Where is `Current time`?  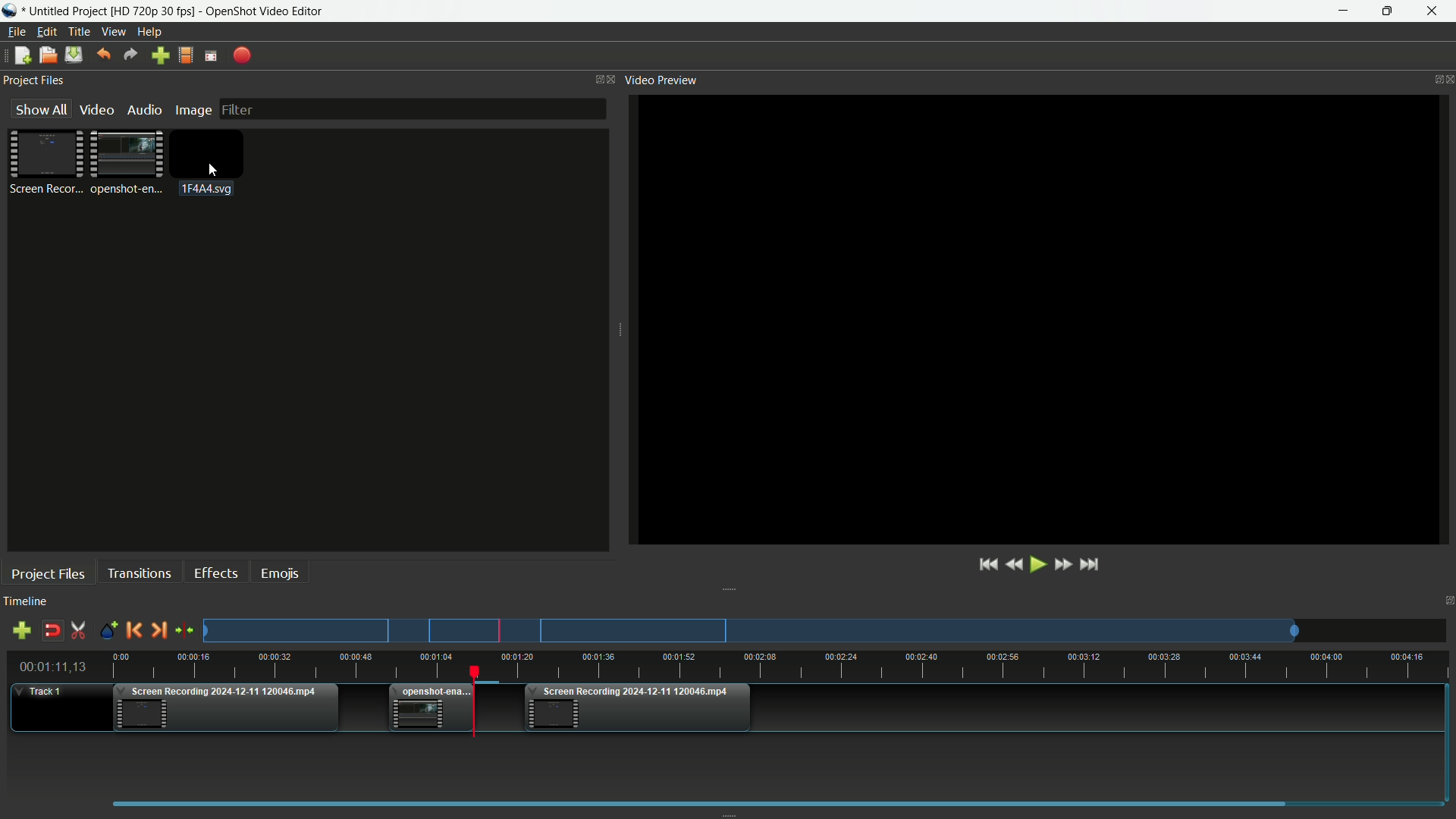
Current time is located at coordinates (57, 667).